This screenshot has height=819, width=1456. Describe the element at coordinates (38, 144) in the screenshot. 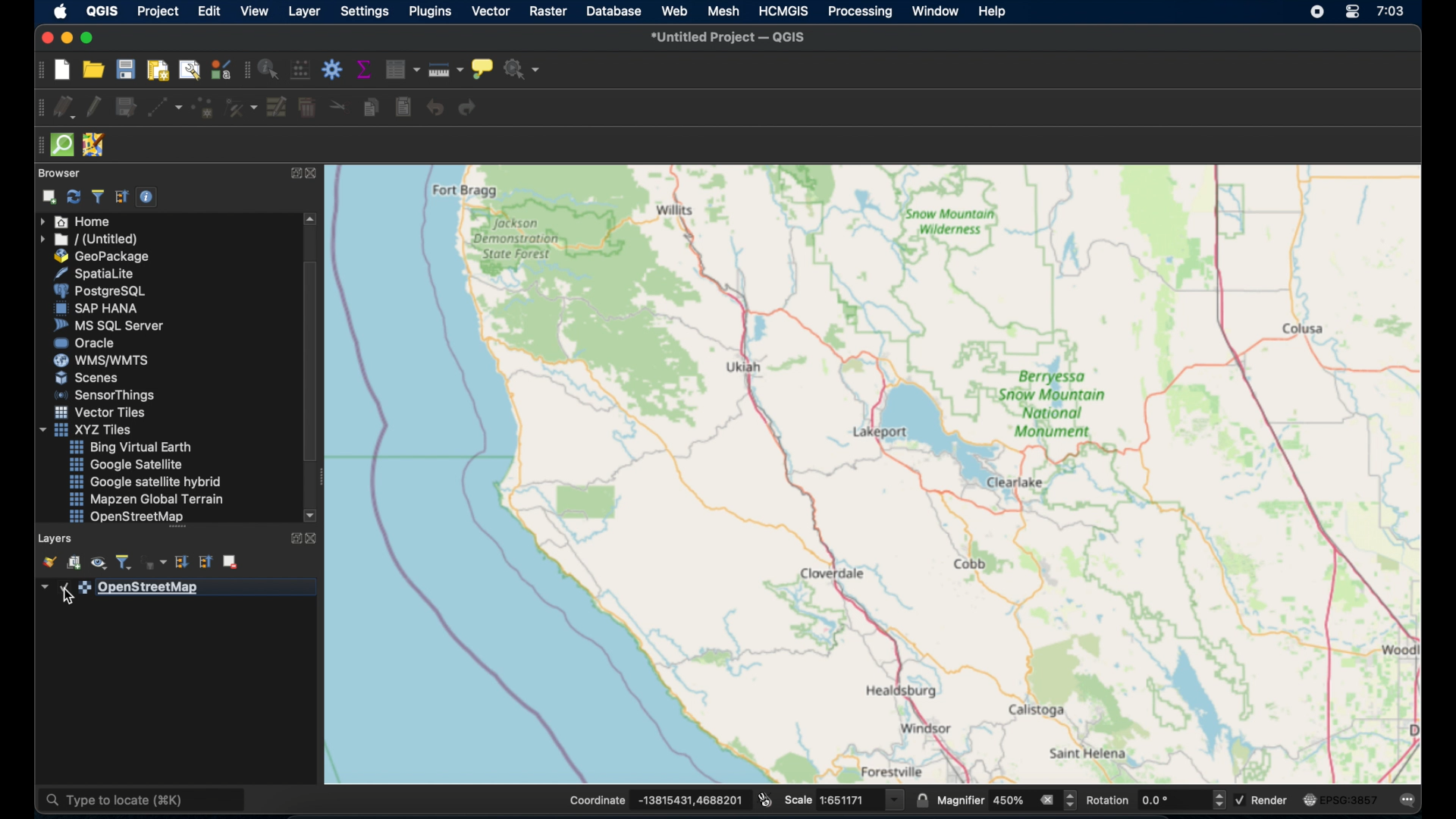

I see `drag handle` at that location.